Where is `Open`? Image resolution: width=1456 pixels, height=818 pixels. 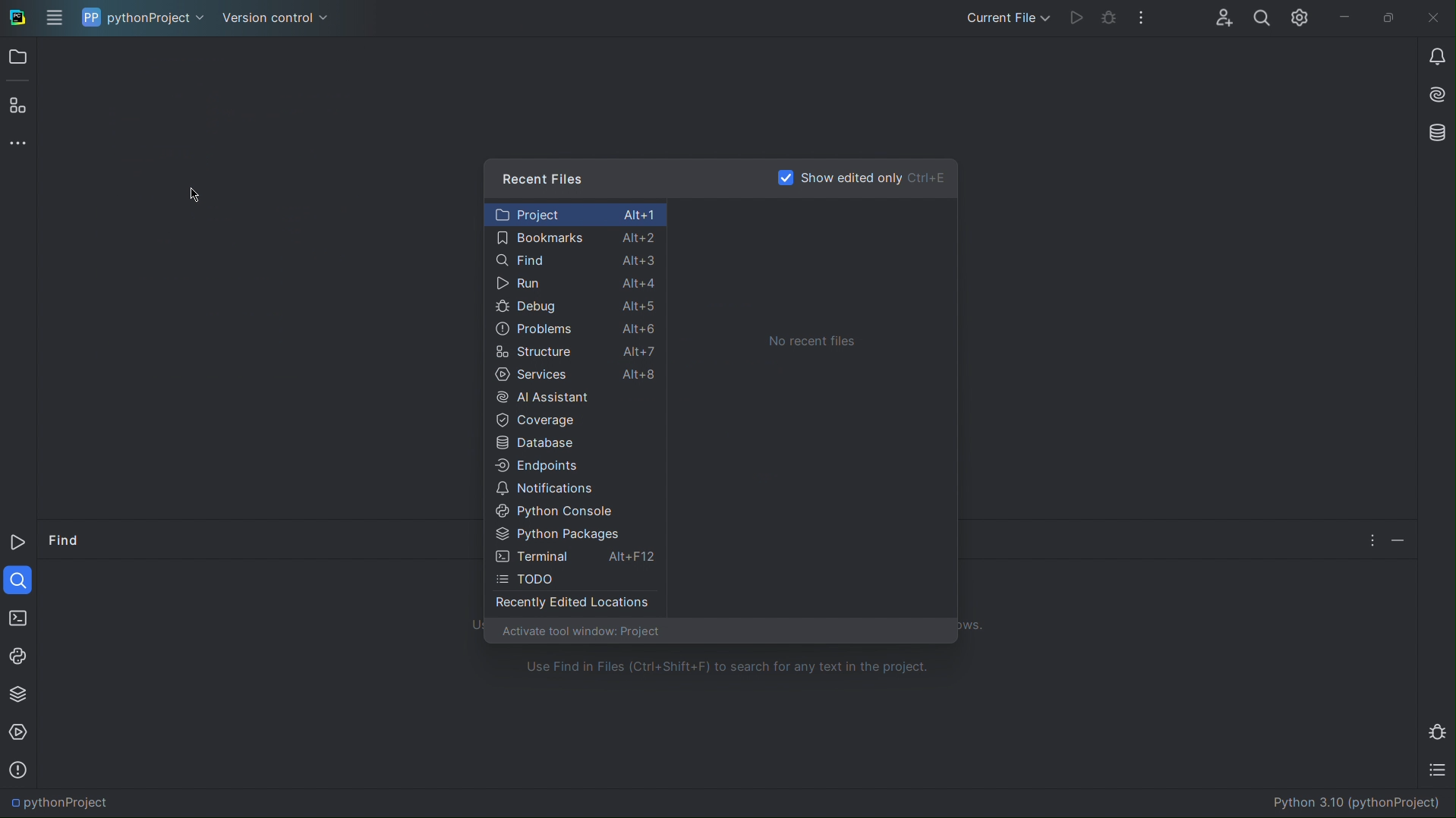 Open is located at coordinates (17, 60).